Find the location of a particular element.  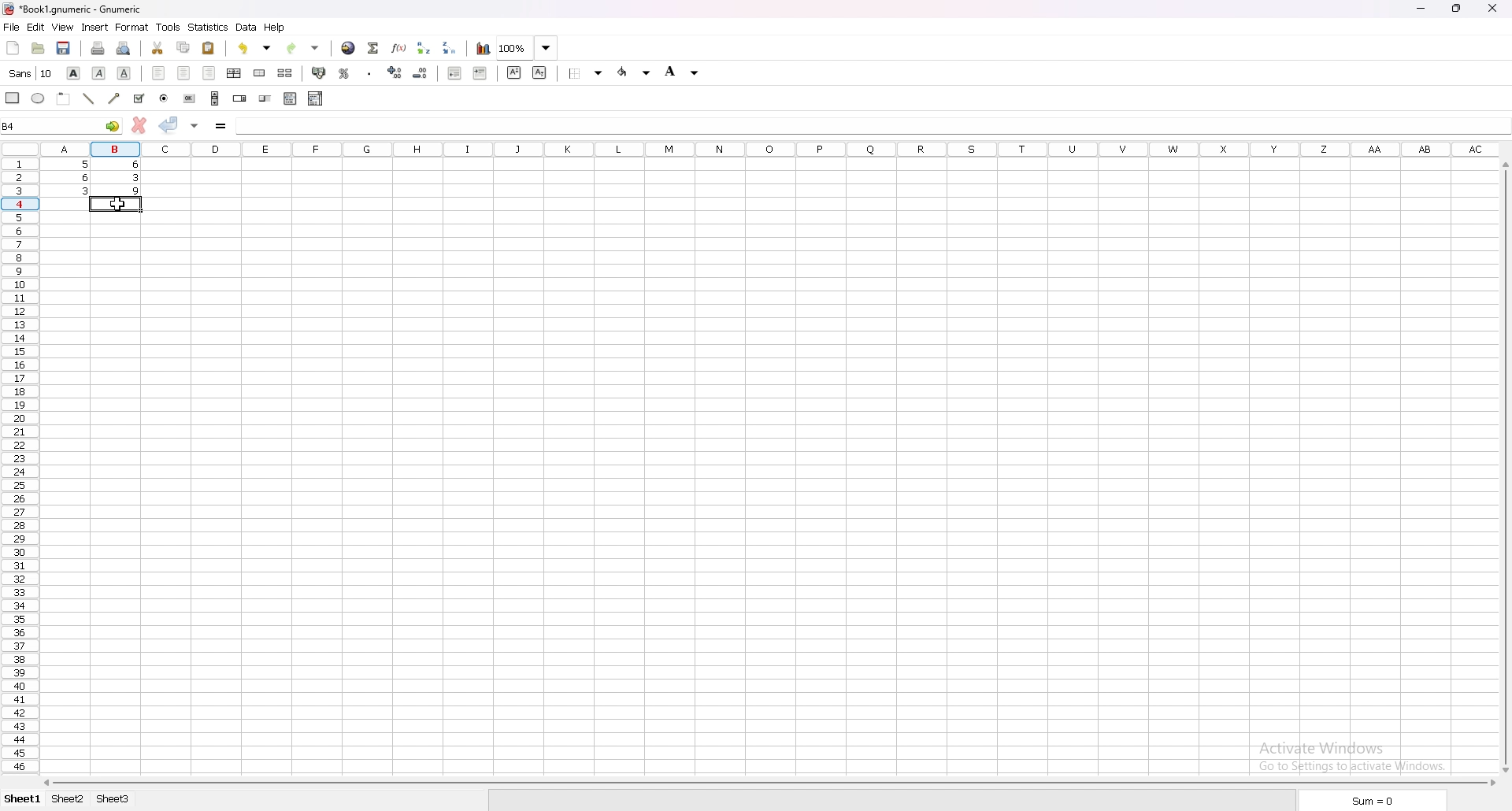

summation is located at coordinates (373, 48).